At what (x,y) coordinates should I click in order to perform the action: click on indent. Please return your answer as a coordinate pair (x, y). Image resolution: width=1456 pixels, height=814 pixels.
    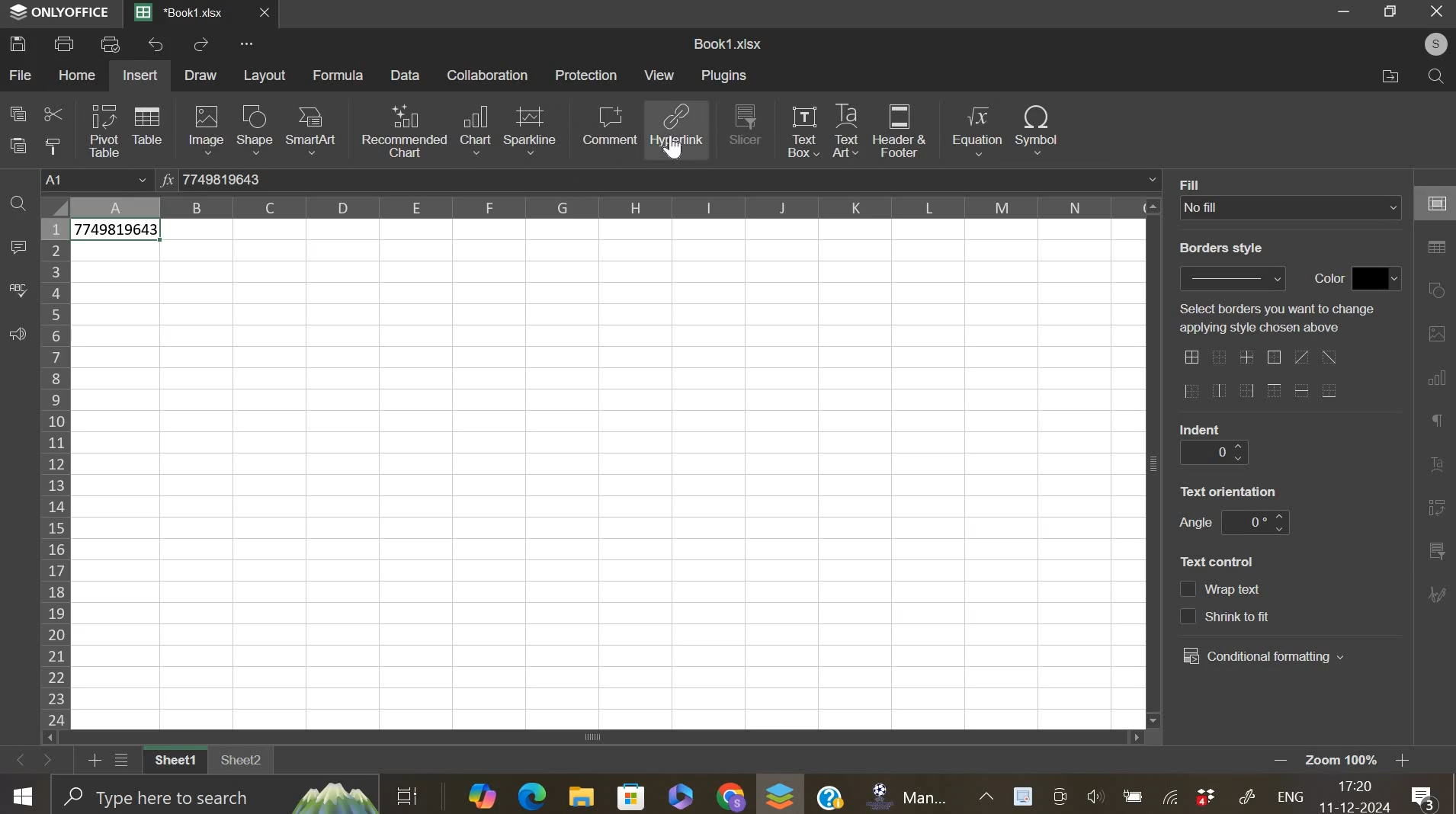
    Looking at the image, I should click on (1213, 453).